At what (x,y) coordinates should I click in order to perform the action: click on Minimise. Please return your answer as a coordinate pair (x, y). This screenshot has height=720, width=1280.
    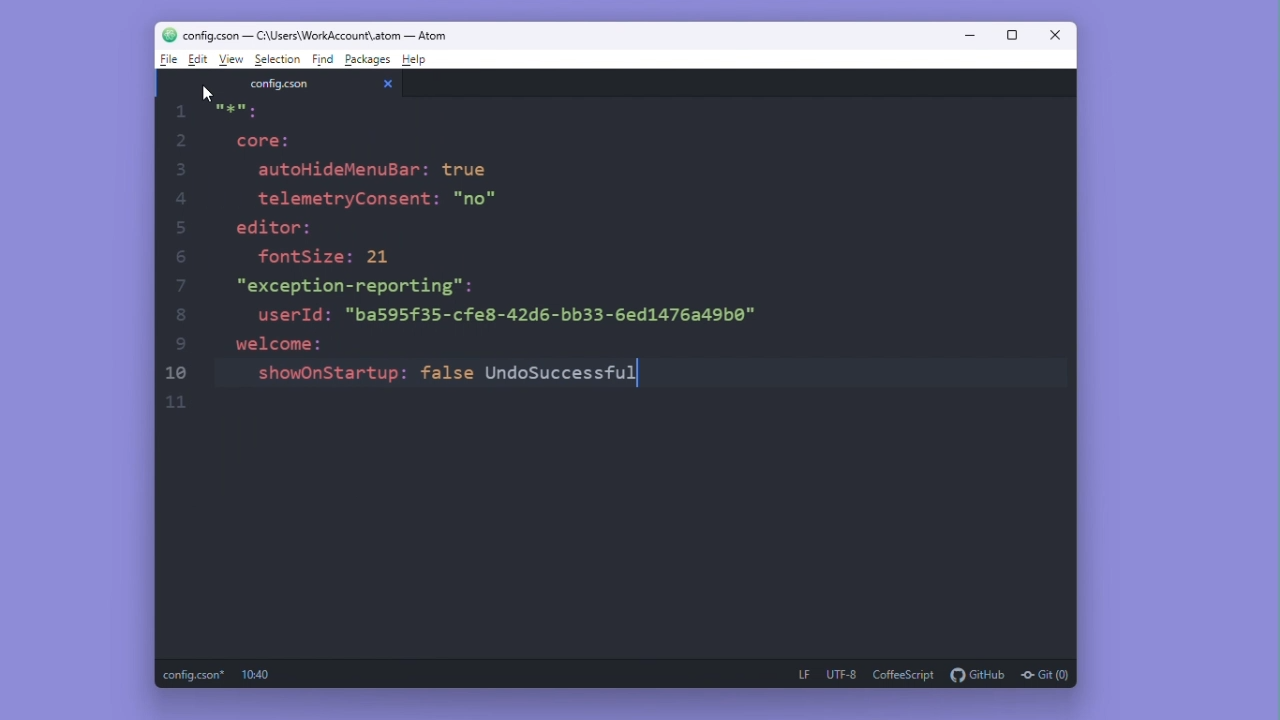
    Looking at the image, I should click on (970, 34).